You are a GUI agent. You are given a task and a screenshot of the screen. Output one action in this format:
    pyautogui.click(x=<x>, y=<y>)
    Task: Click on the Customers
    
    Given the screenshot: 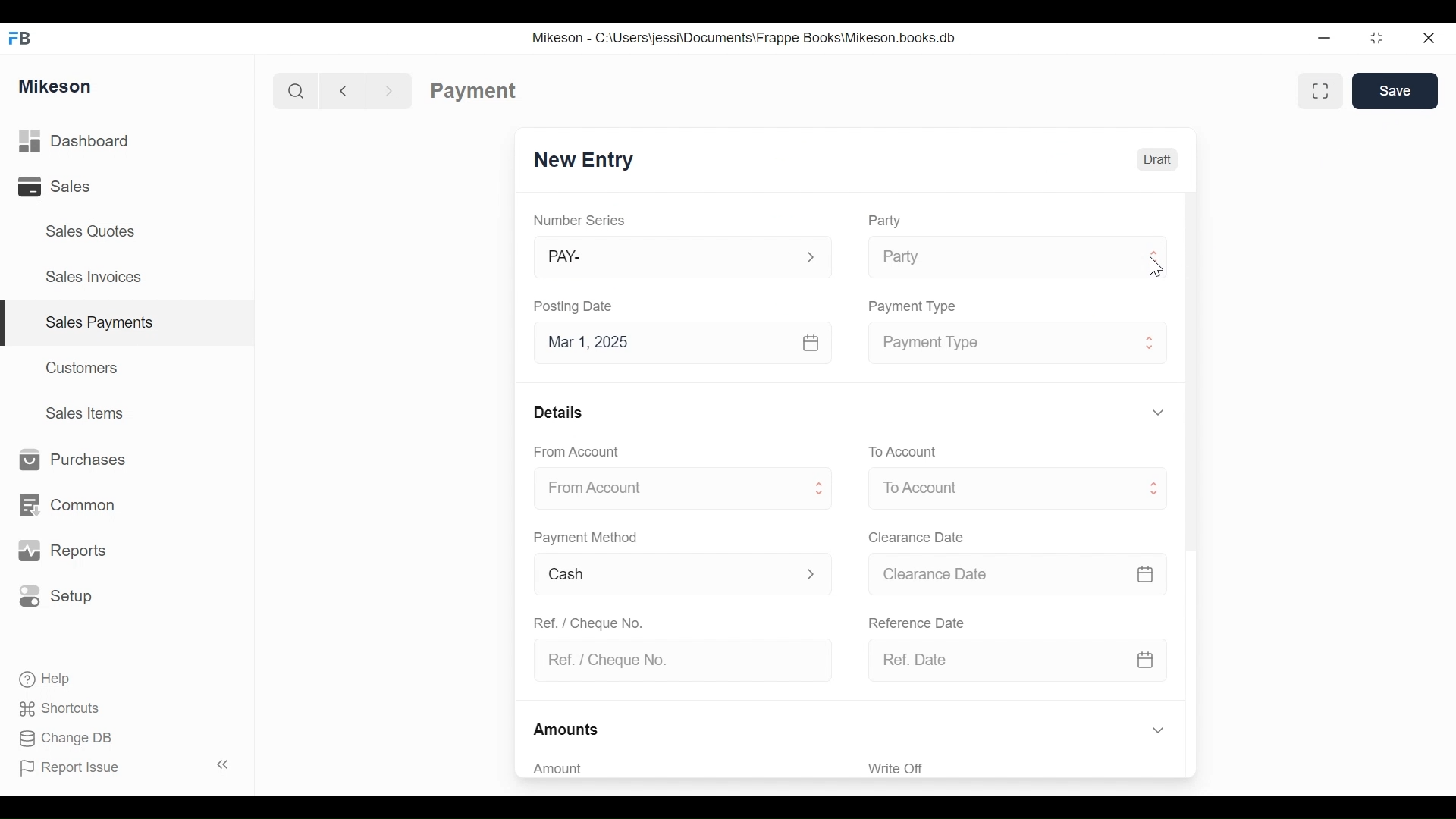 What is the action you would take?
    pyautogui.click(x=86, y=366)
    